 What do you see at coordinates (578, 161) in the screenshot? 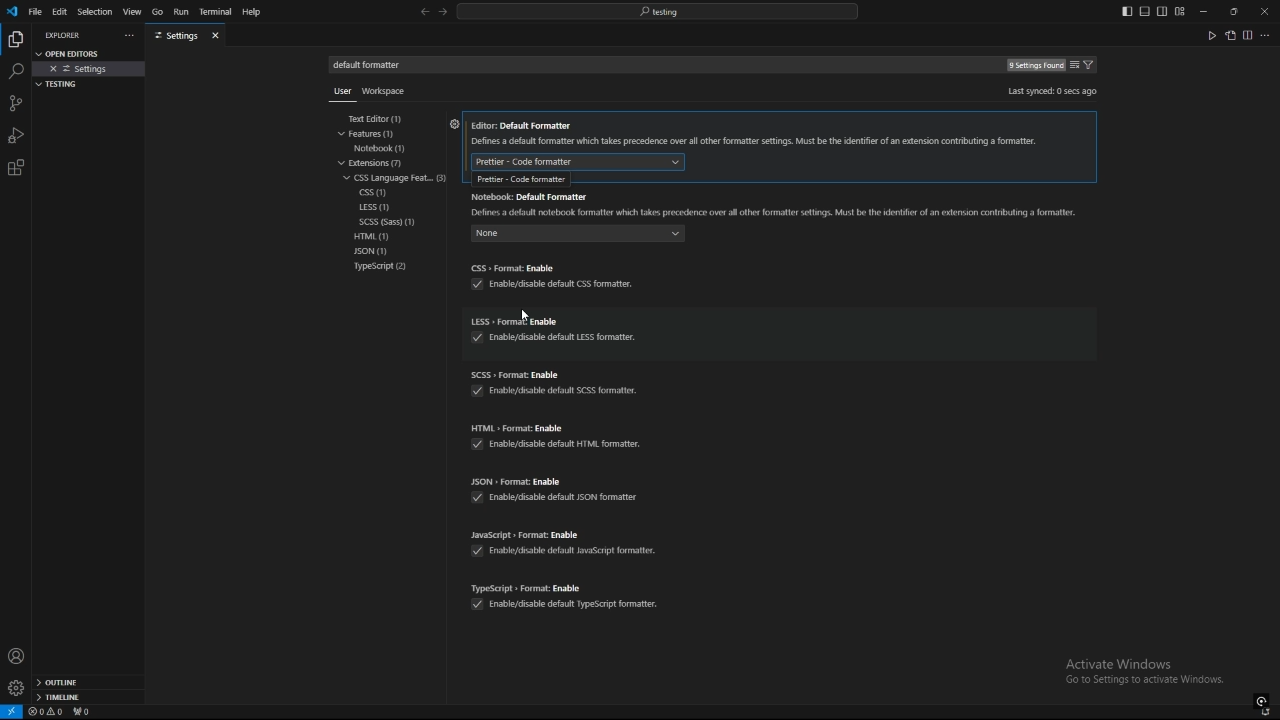
I see `default formatter` at bounding box center [578, 161].